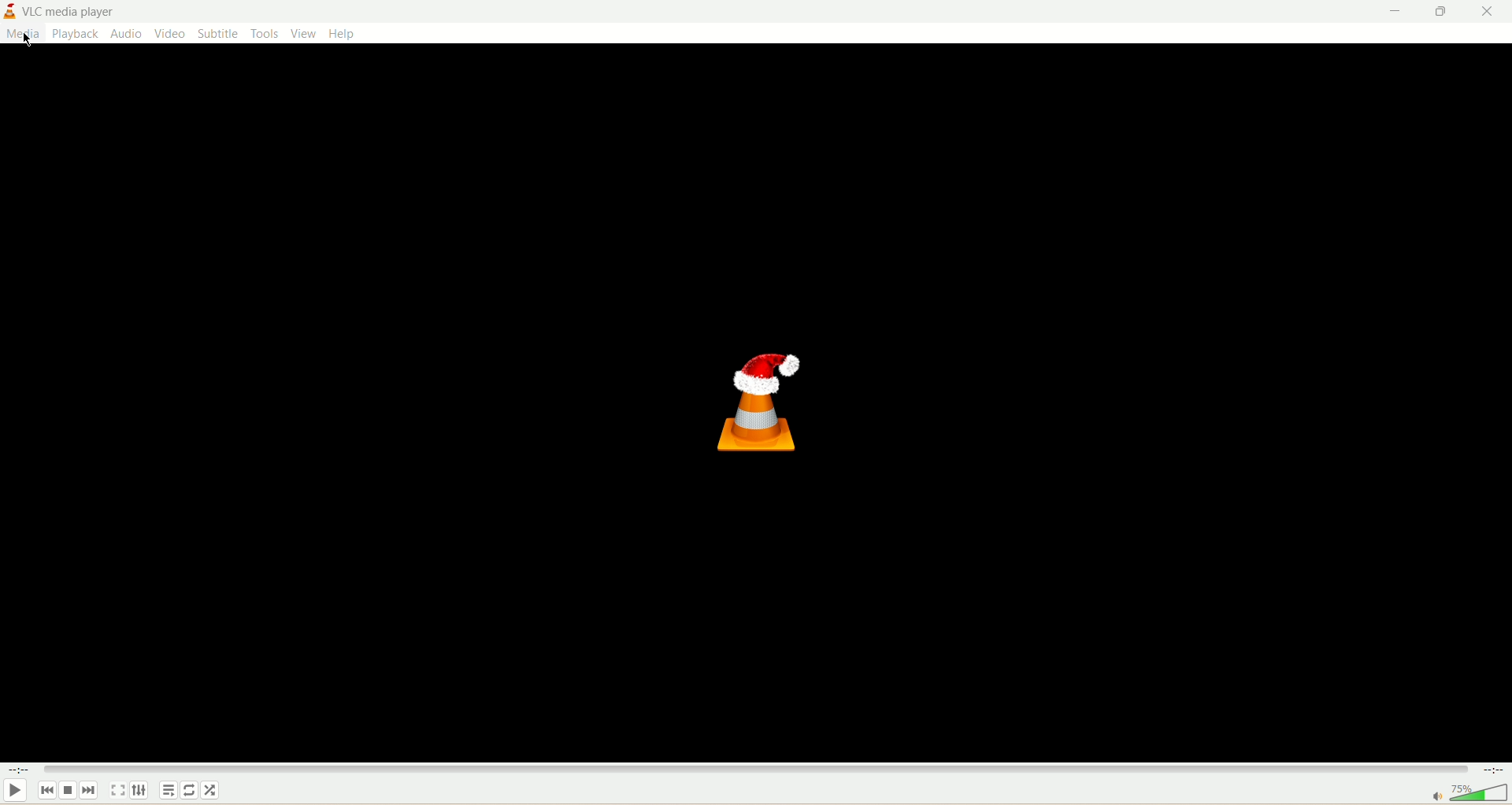  I want to click on extended settings, so click(139, 791).